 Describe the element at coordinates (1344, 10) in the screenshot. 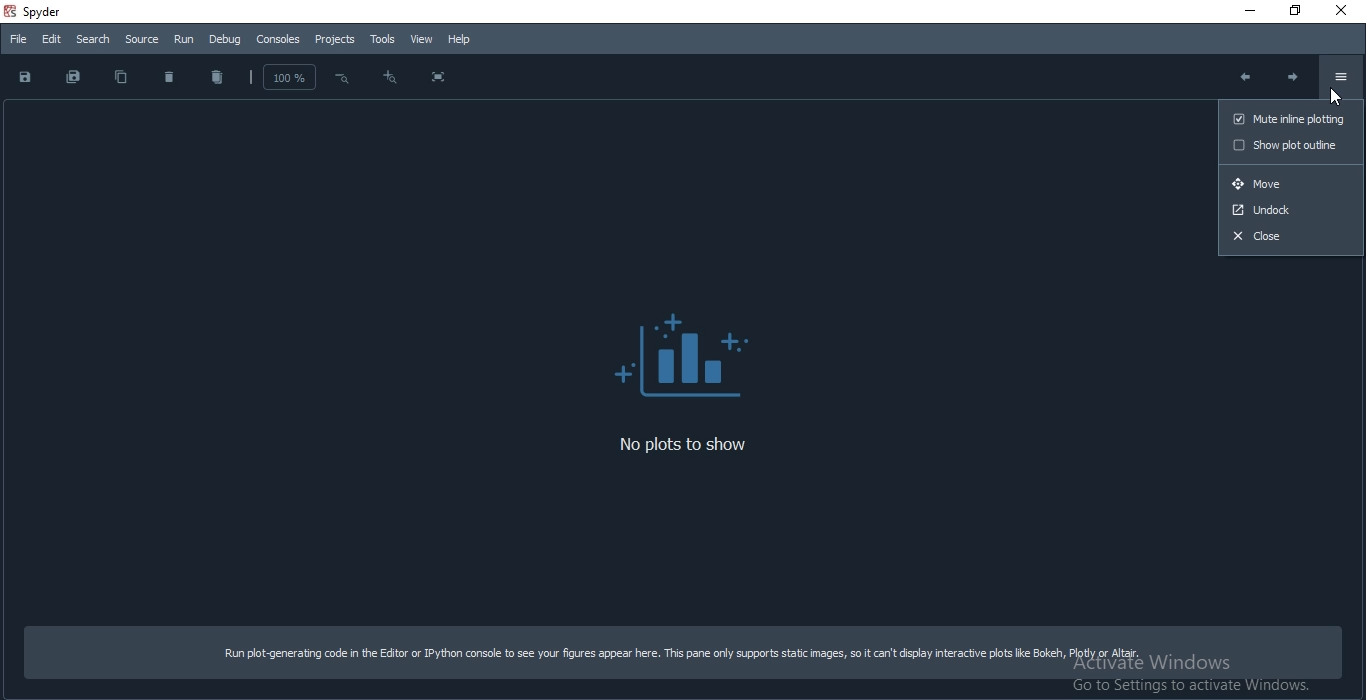

I see `close` at that location.